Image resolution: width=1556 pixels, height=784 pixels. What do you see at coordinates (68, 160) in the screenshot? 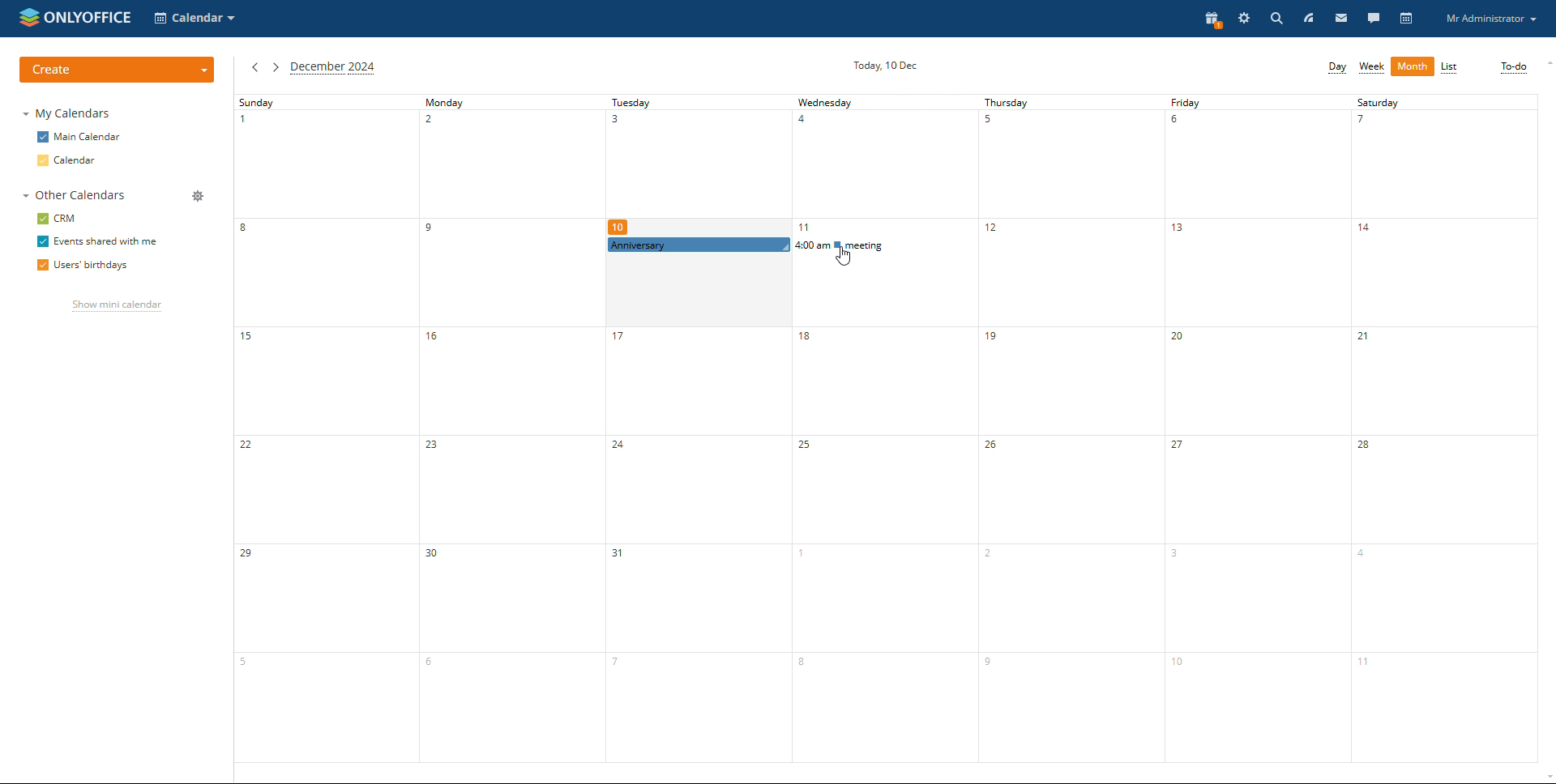
I see `calendar` at bounding box center [68, 160].